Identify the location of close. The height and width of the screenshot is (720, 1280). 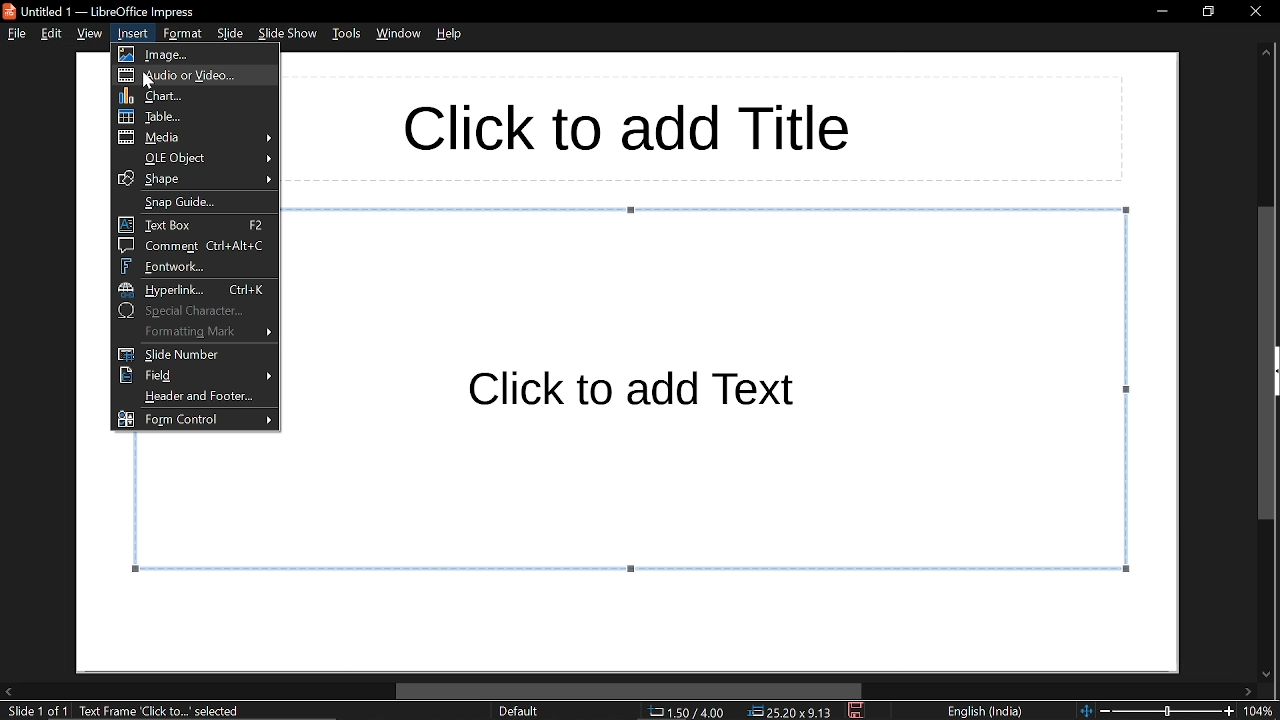
(1251, 14).